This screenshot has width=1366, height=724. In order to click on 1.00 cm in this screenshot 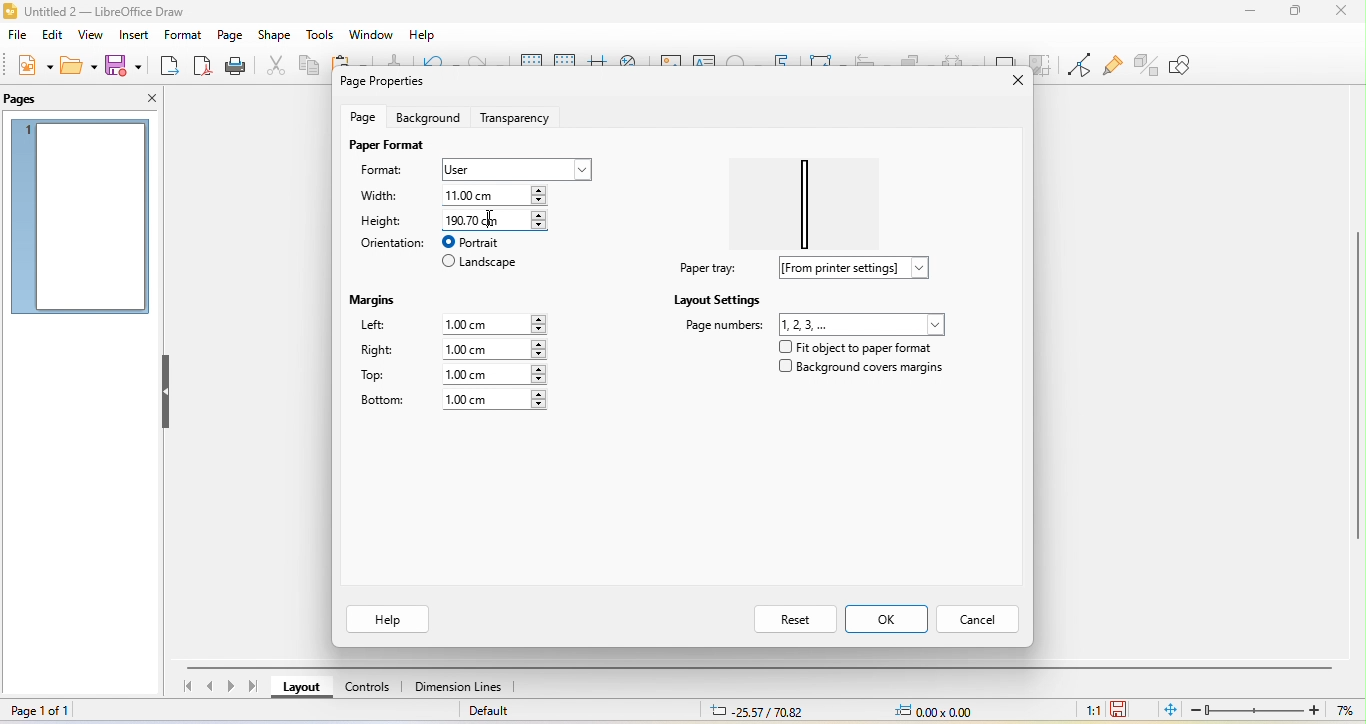, I will do `click(495, 400)`.